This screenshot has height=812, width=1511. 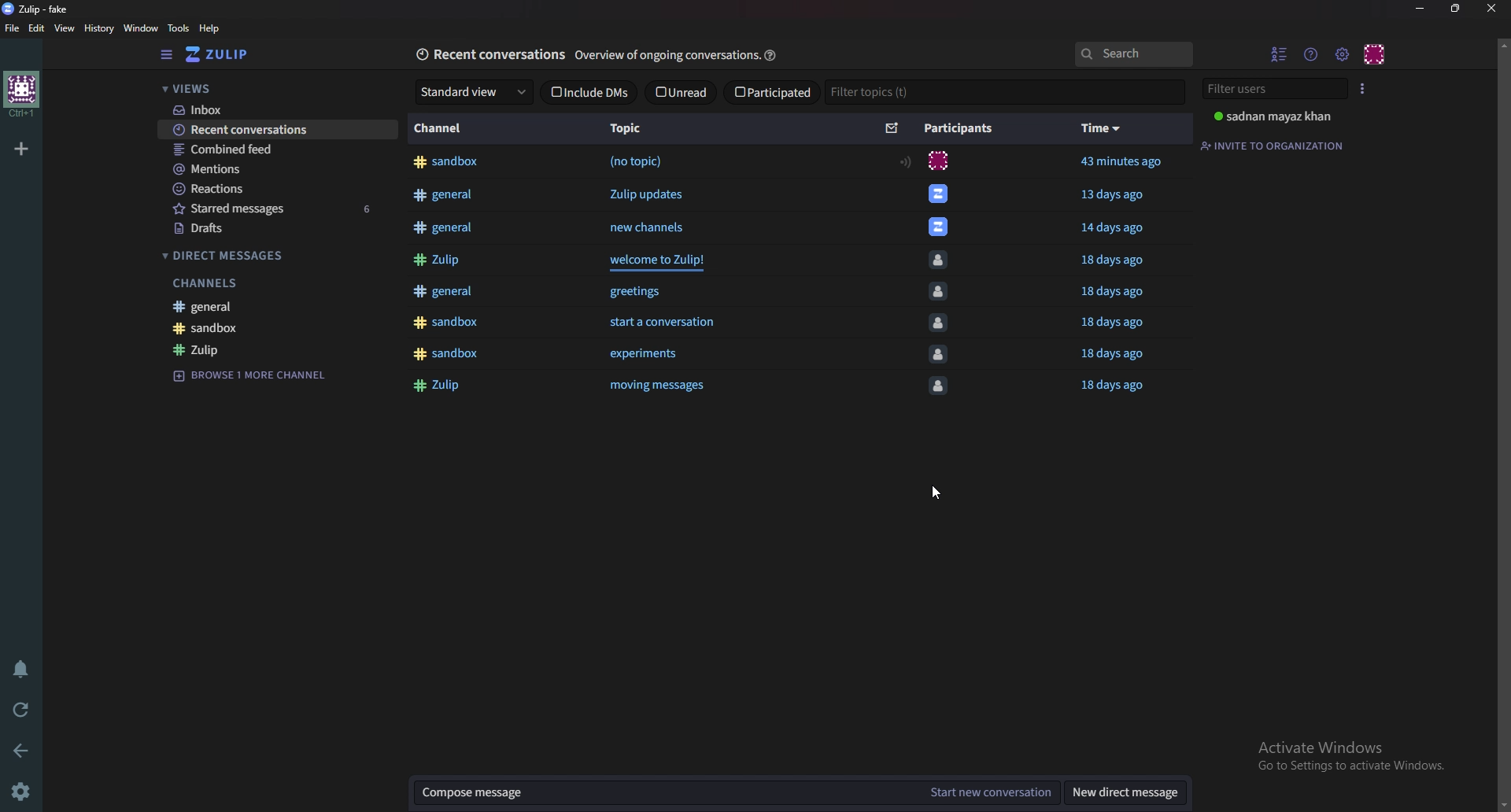 What do you see at coordinates (1113, 260) in the screenshot?
I see `18 days ago` at bounding box center [1113, 260].